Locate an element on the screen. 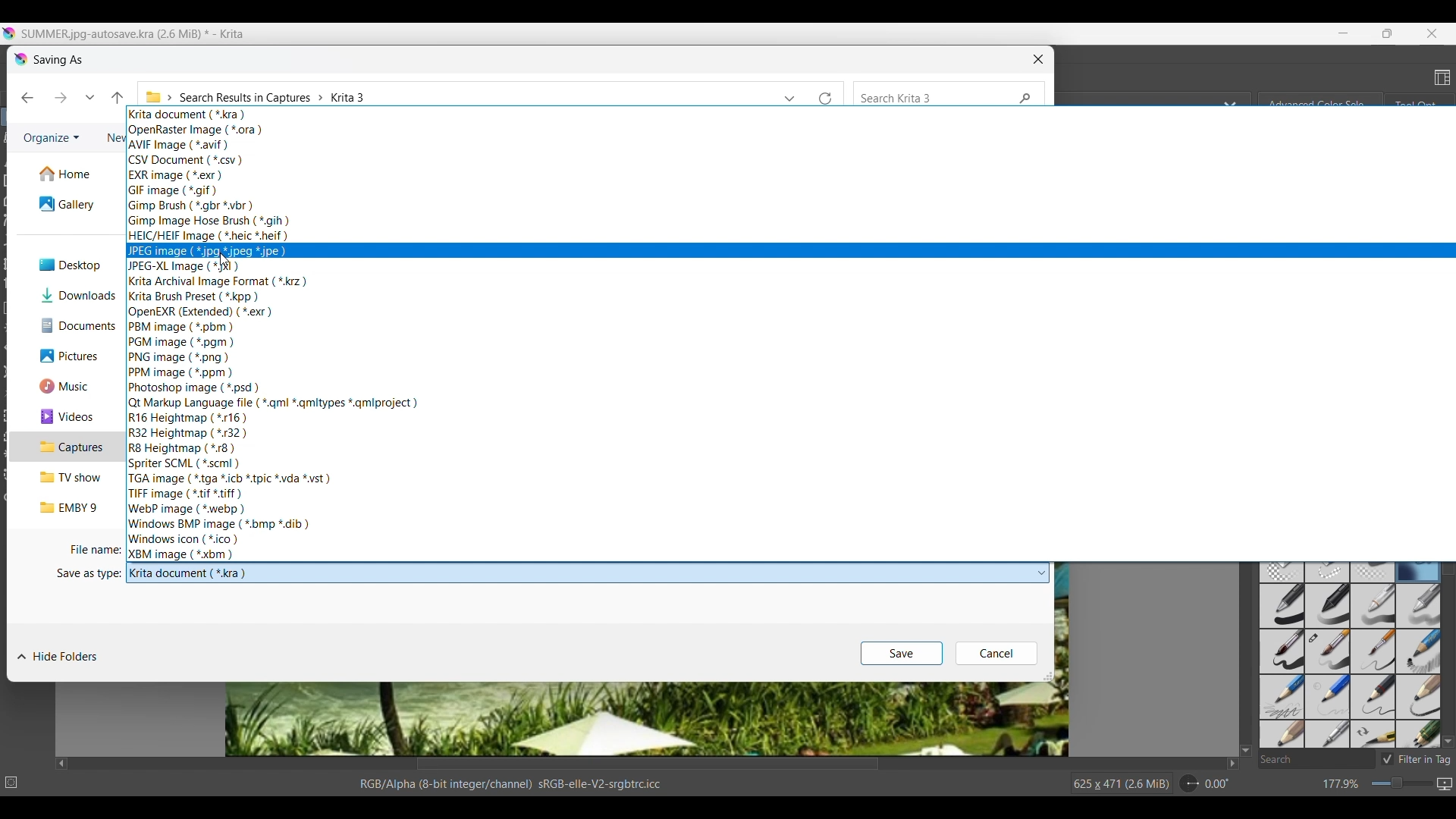 Image resolution: width=1456 pixels, height=819 pixels. Documents folder is located at coordinates (65, 326).